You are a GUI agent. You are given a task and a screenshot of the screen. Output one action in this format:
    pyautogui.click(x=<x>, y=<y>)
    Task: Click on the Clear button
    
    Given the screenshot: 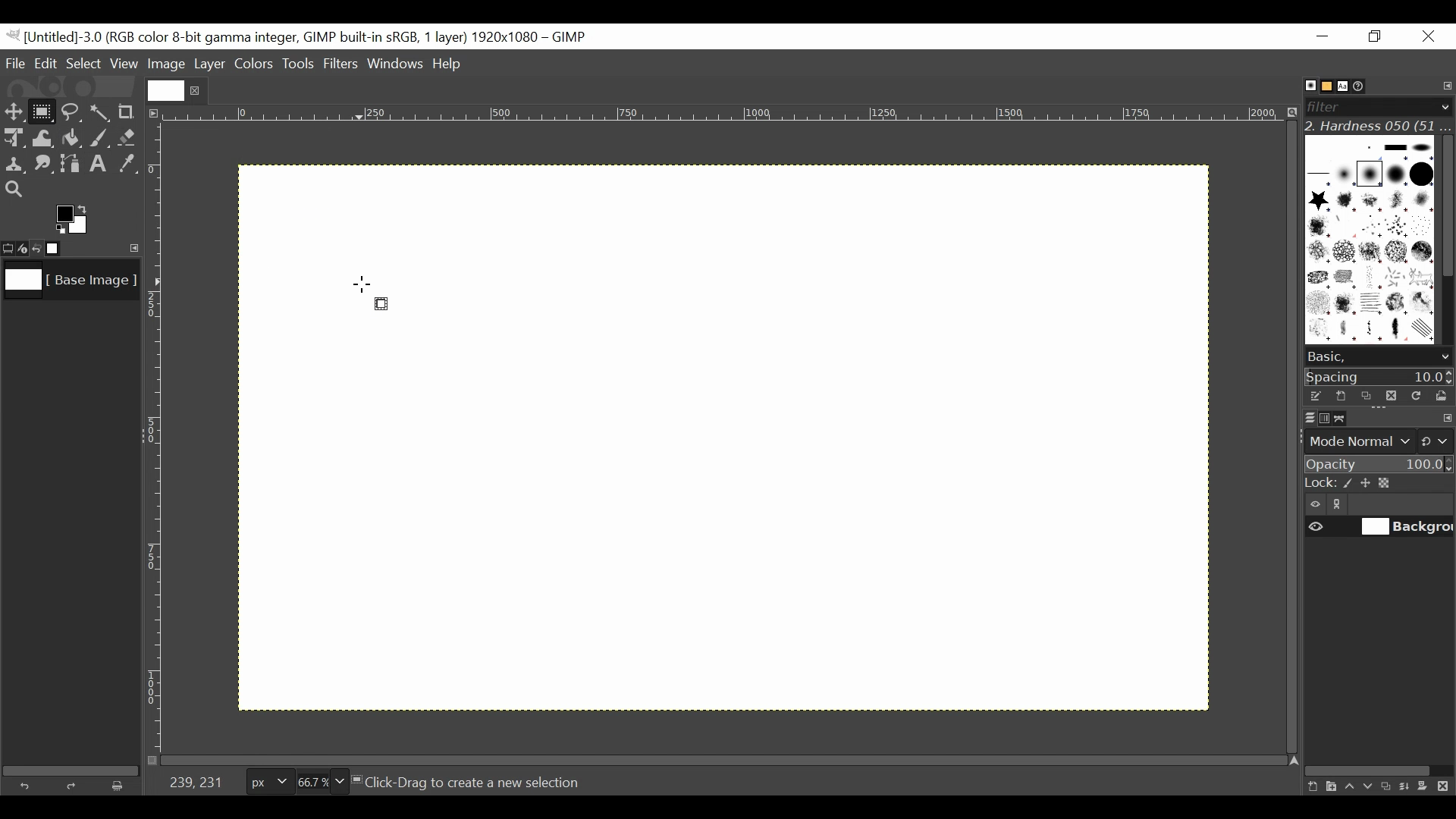 What is the action you would take?
    pyautogui.click(x=122, y=786)
    